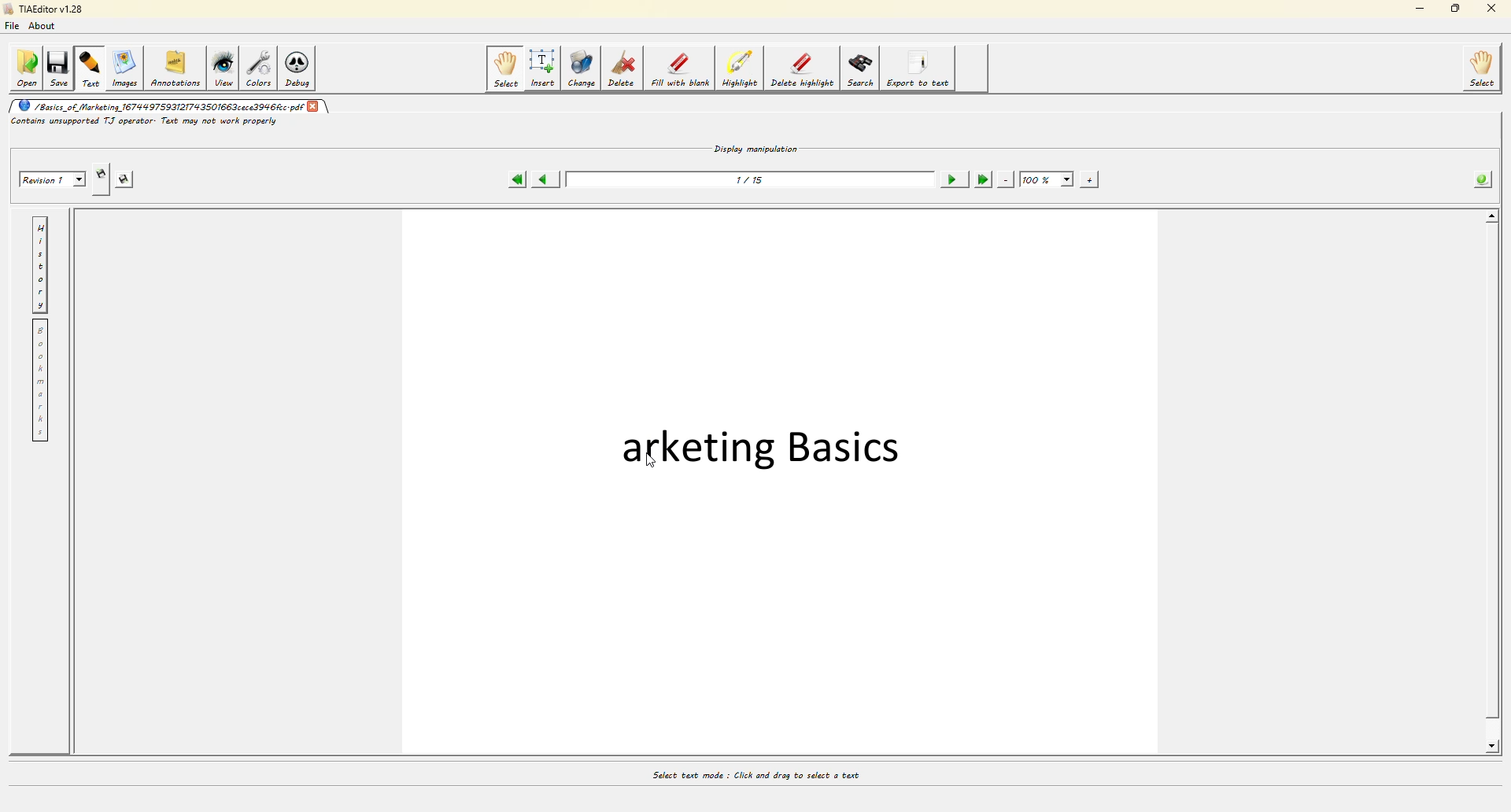 Image resolution: width=1511 pixels, height=812 pixels. I want to click on move down, so click(1494, 747).